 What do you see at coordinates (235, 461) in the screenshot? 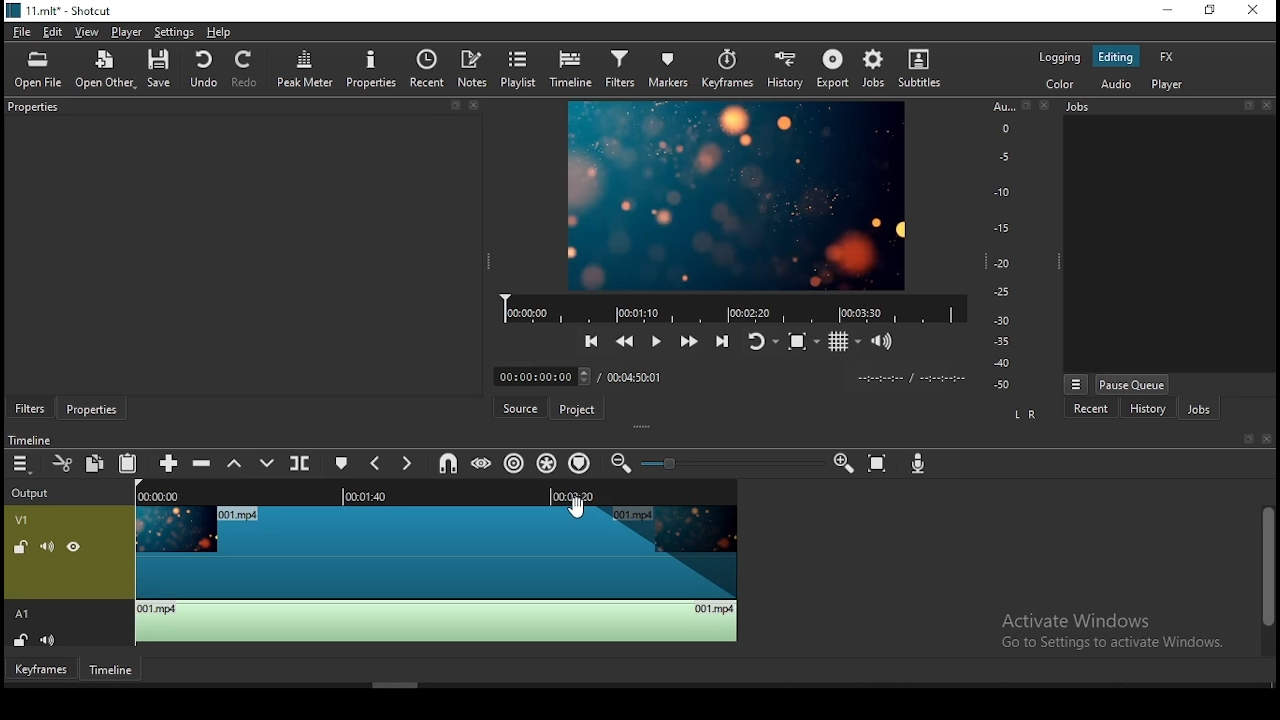
I see `lift` at bounding box center [235, 461].